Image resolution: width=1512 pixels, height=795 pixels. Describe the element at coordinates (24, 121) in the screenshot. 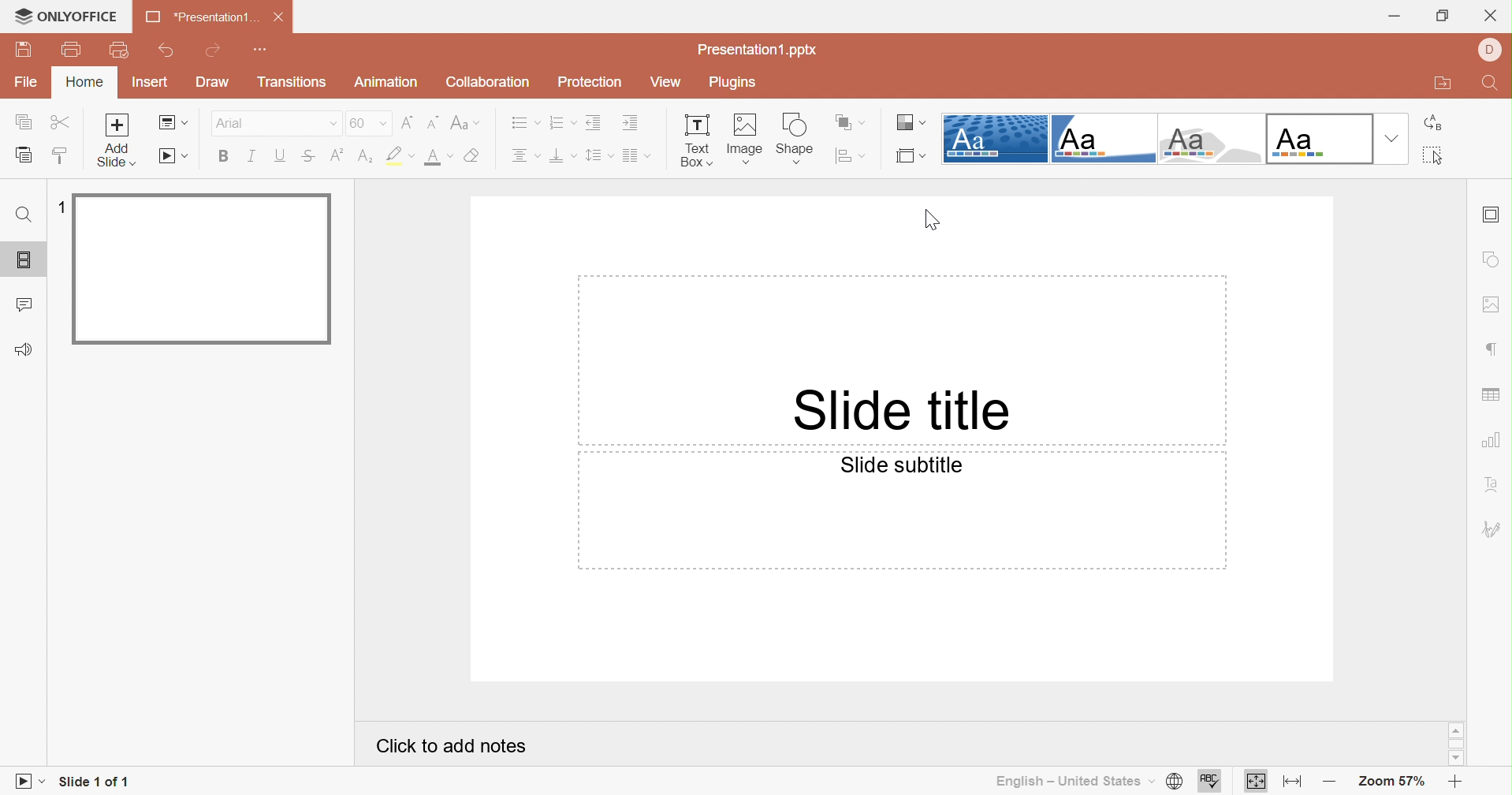

I see `Copy` at that location.